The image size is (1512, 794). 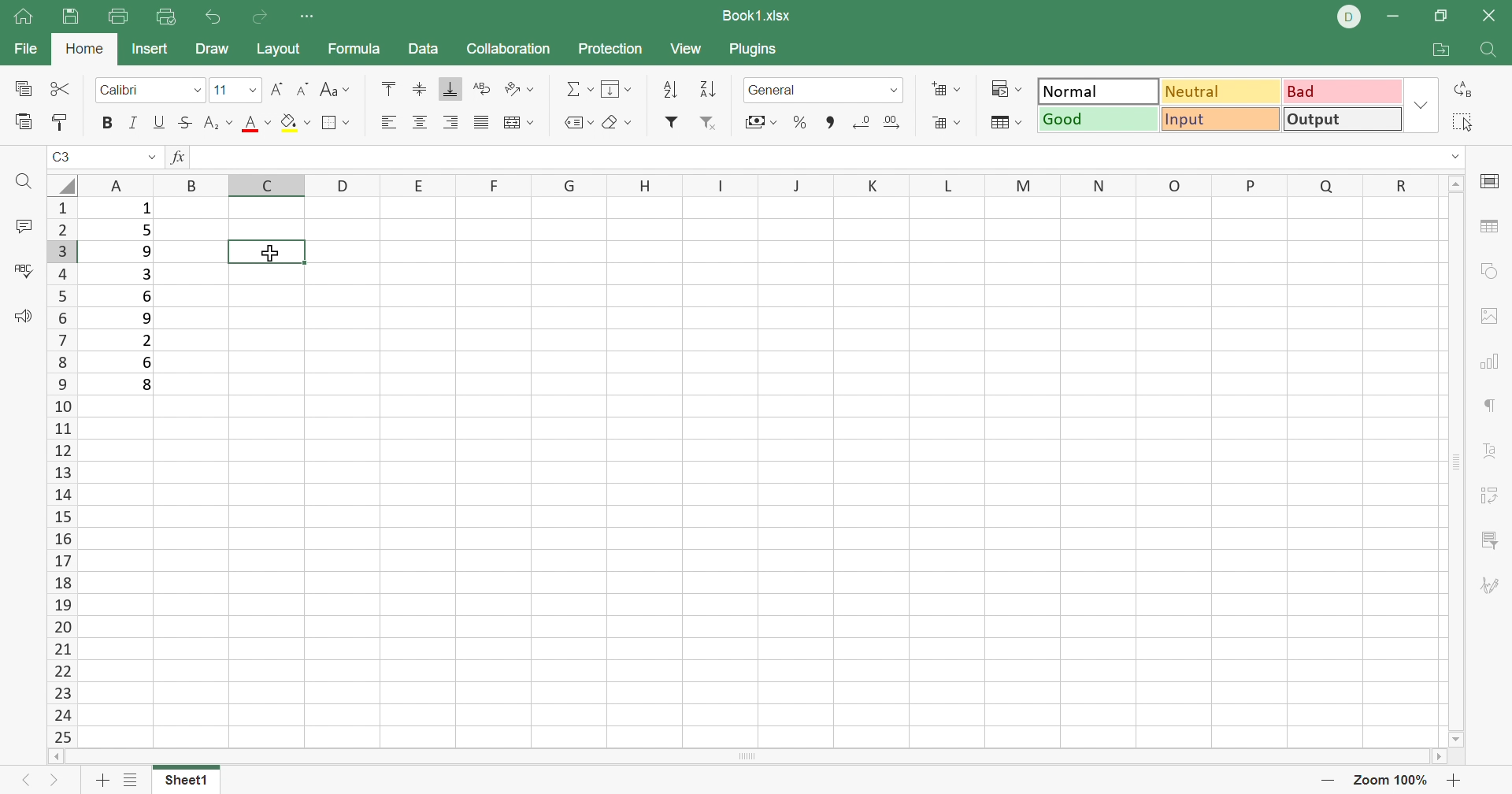 I want to click on Find, so click(x=26, y=181).